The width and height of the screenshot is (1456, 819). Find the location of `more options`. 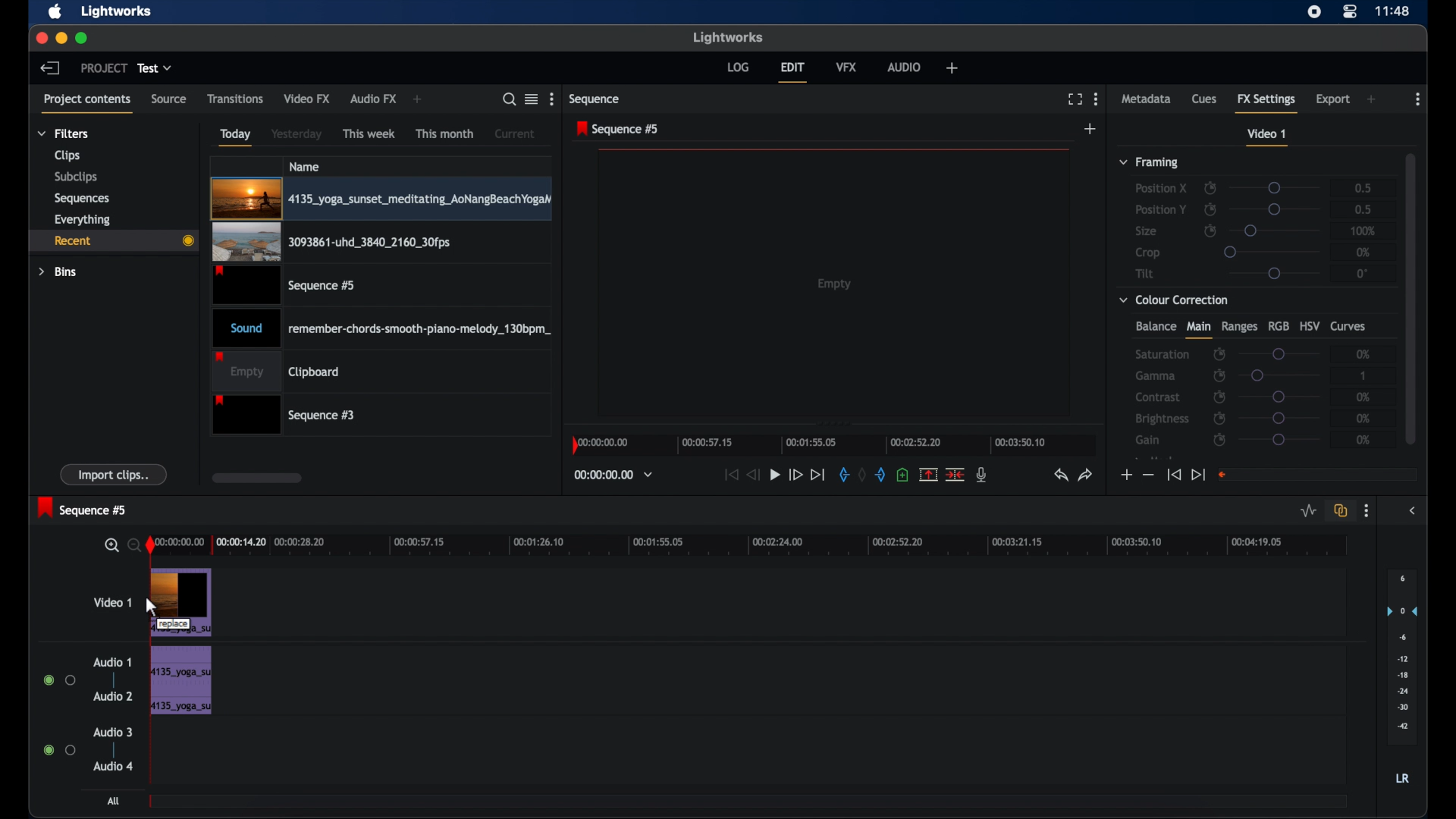

more options is located at coordinates (1096, 99).